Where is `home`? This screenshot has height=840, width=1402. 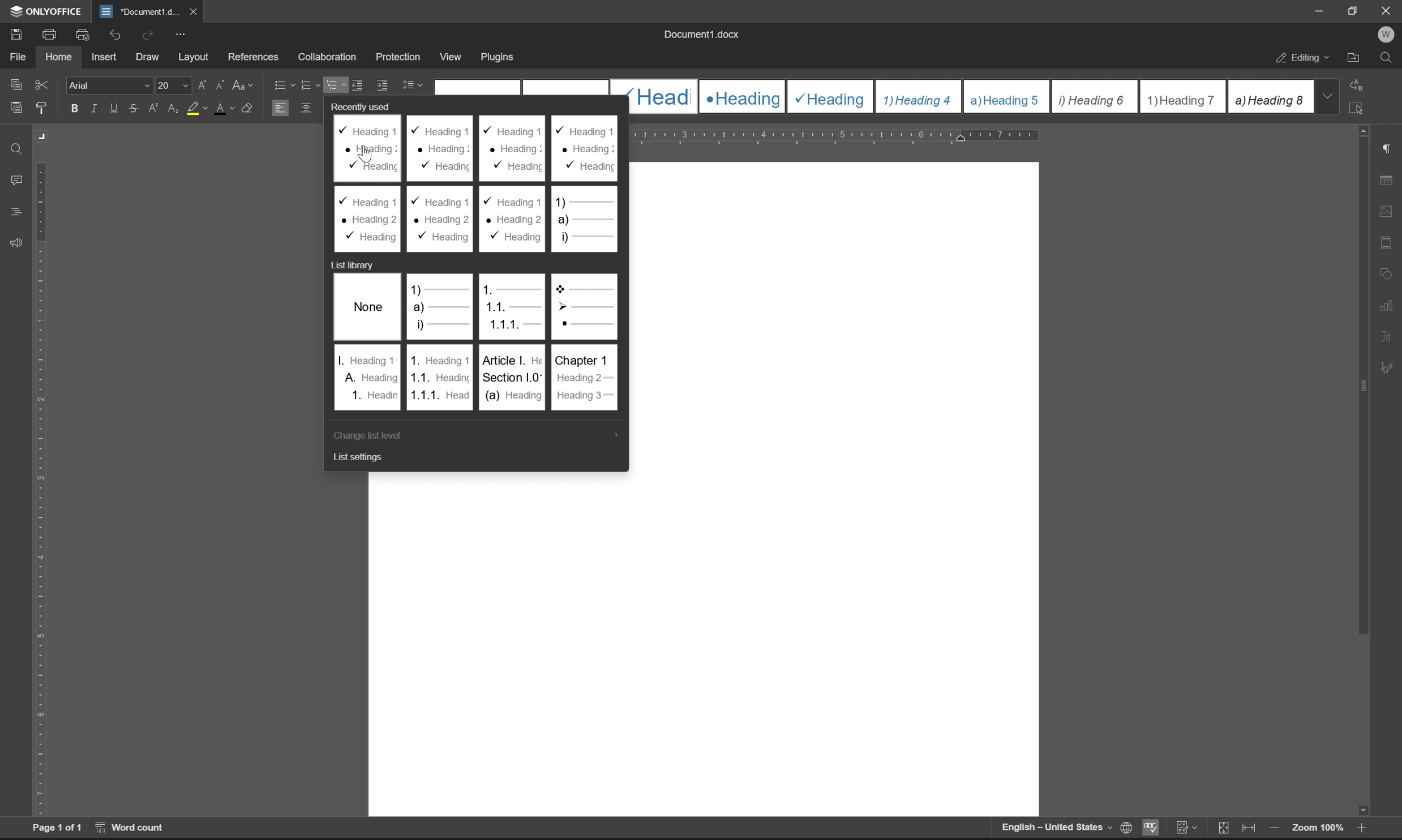
home is located at coordinates (58, 55).